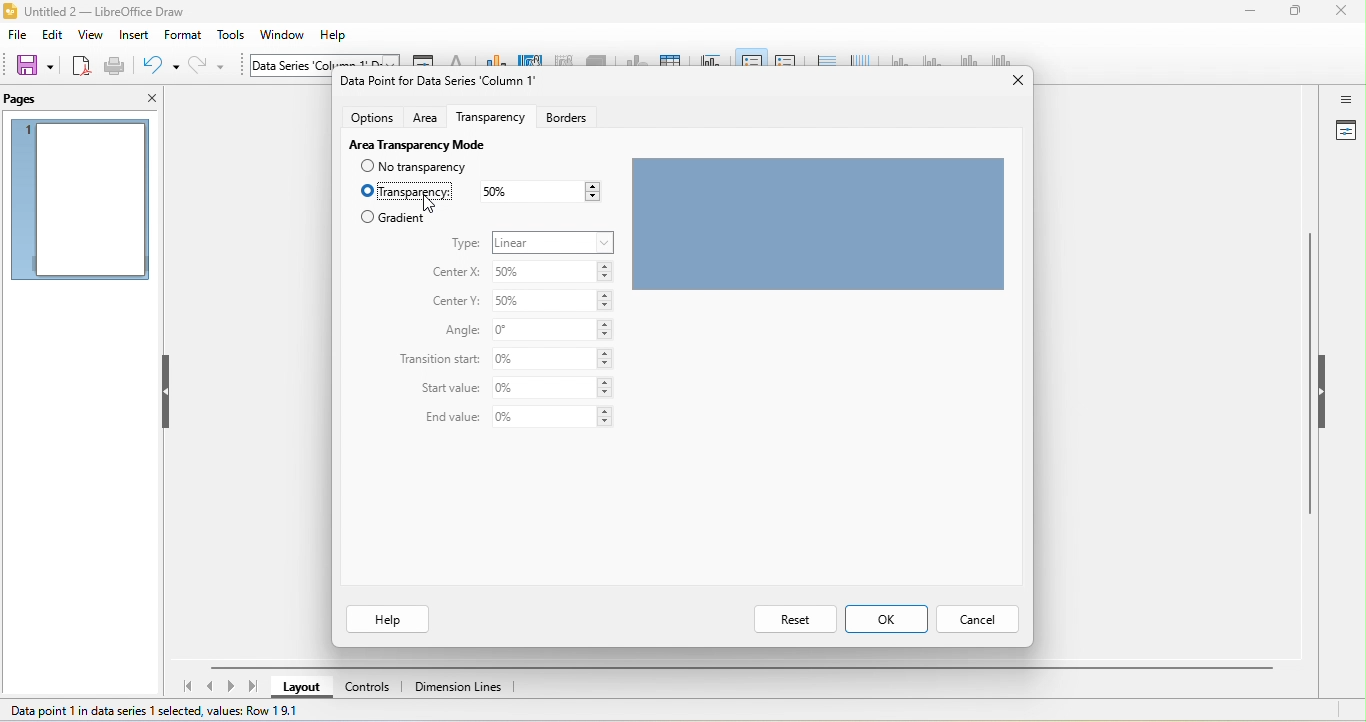  What do you see at coordinates (116, 13) in the screenshot?
I see `untitled 2- libreoffice draw` at bounding box center [116, 13].